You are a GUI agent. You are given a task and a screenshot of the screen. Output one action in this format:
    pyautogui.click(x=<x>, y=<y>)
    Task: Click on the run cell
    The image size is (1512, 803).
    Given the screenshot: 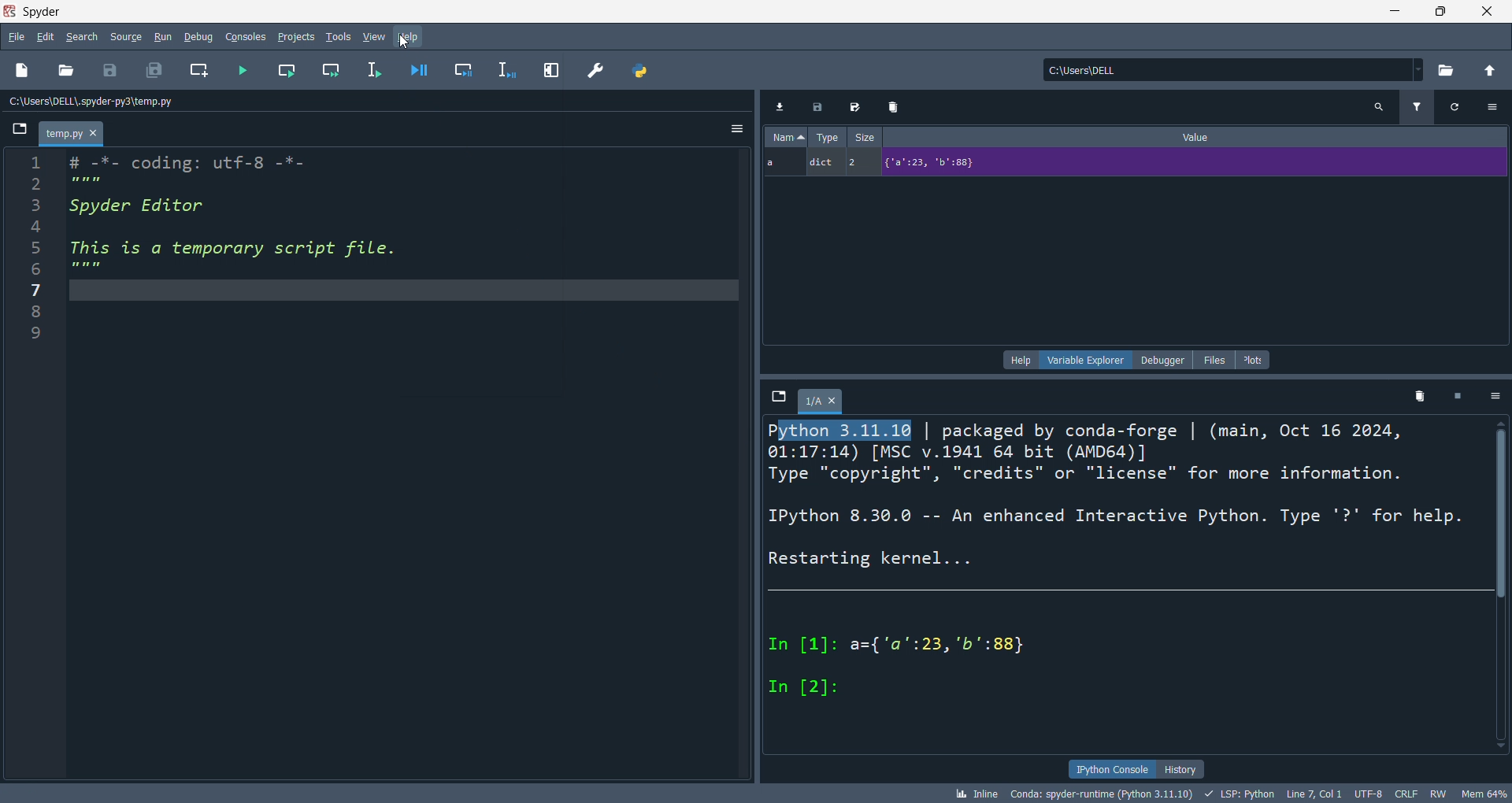 What is the action you would take?
    pyautogui.click(x=290, y=72)
    